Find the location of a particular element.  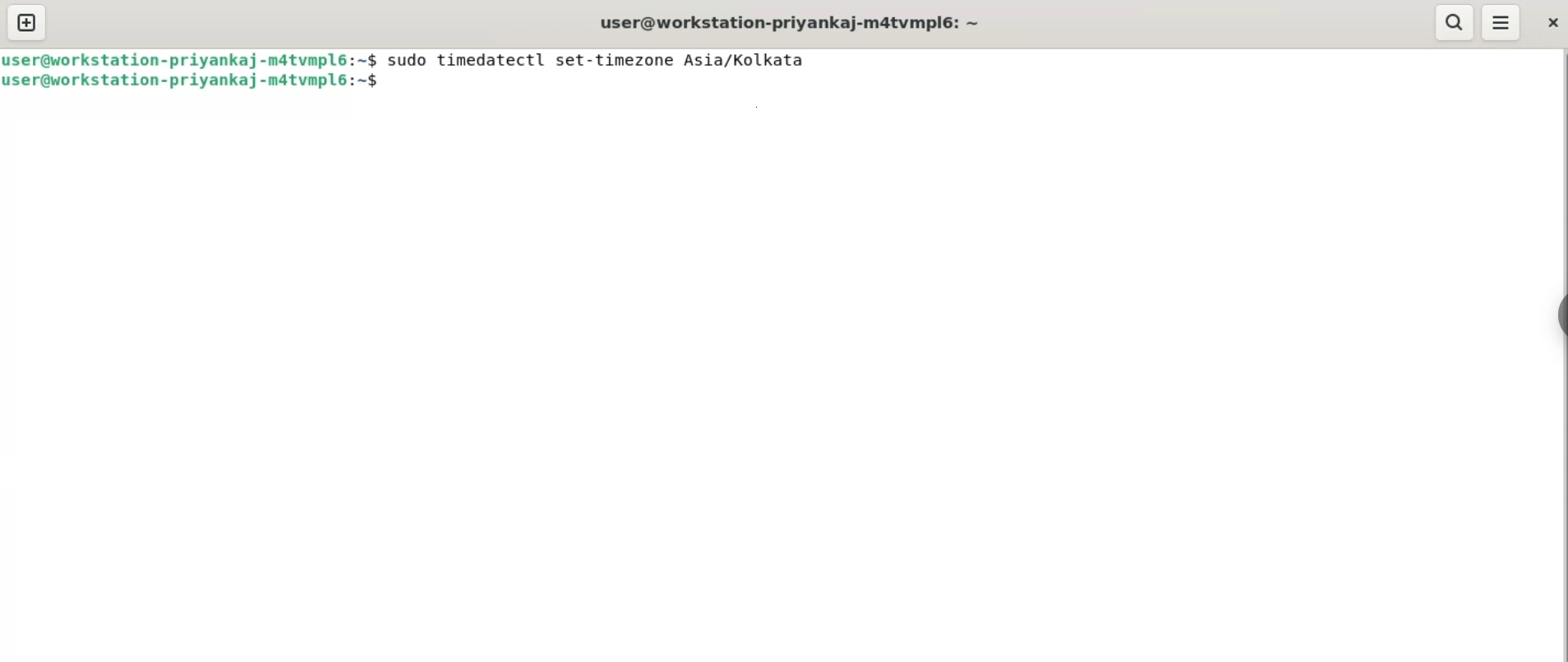

new tab is located at coordinates (29, 23).